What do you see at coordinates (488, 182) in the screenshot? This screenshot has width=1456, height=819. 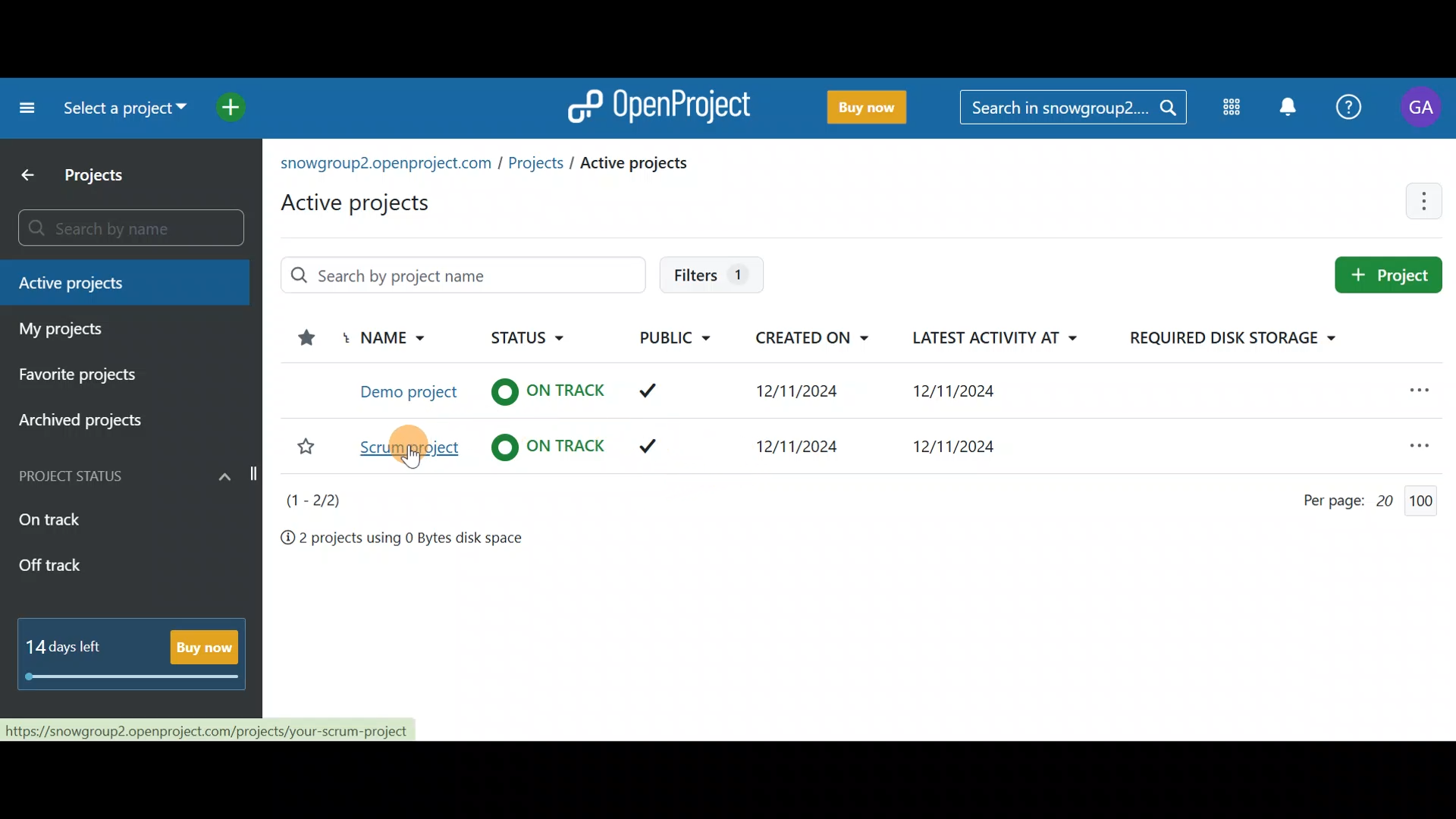 I see `Active projects` at bounding box center [488, 182].